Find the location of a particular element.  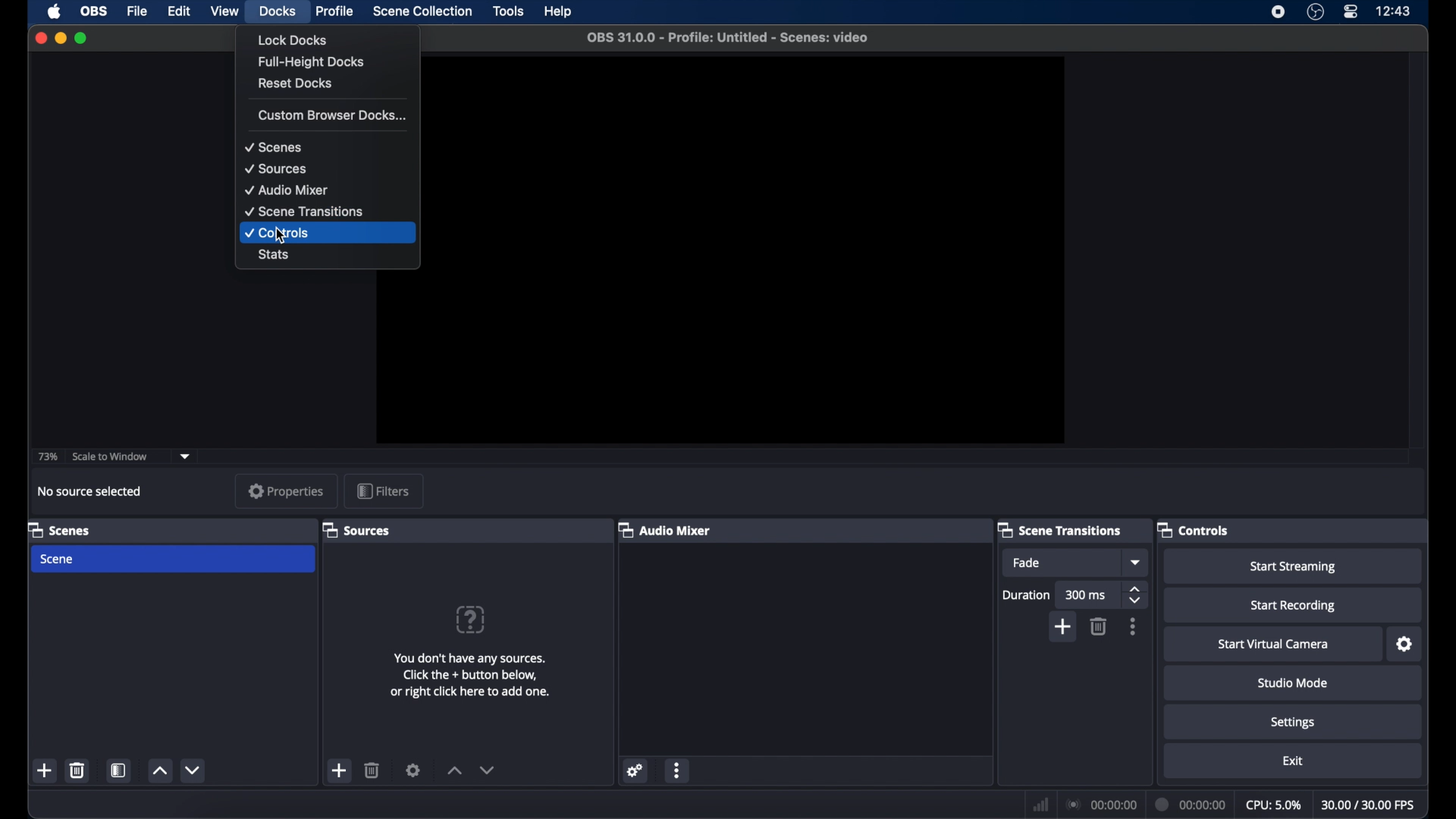

close is located at coordinates (40, 38).